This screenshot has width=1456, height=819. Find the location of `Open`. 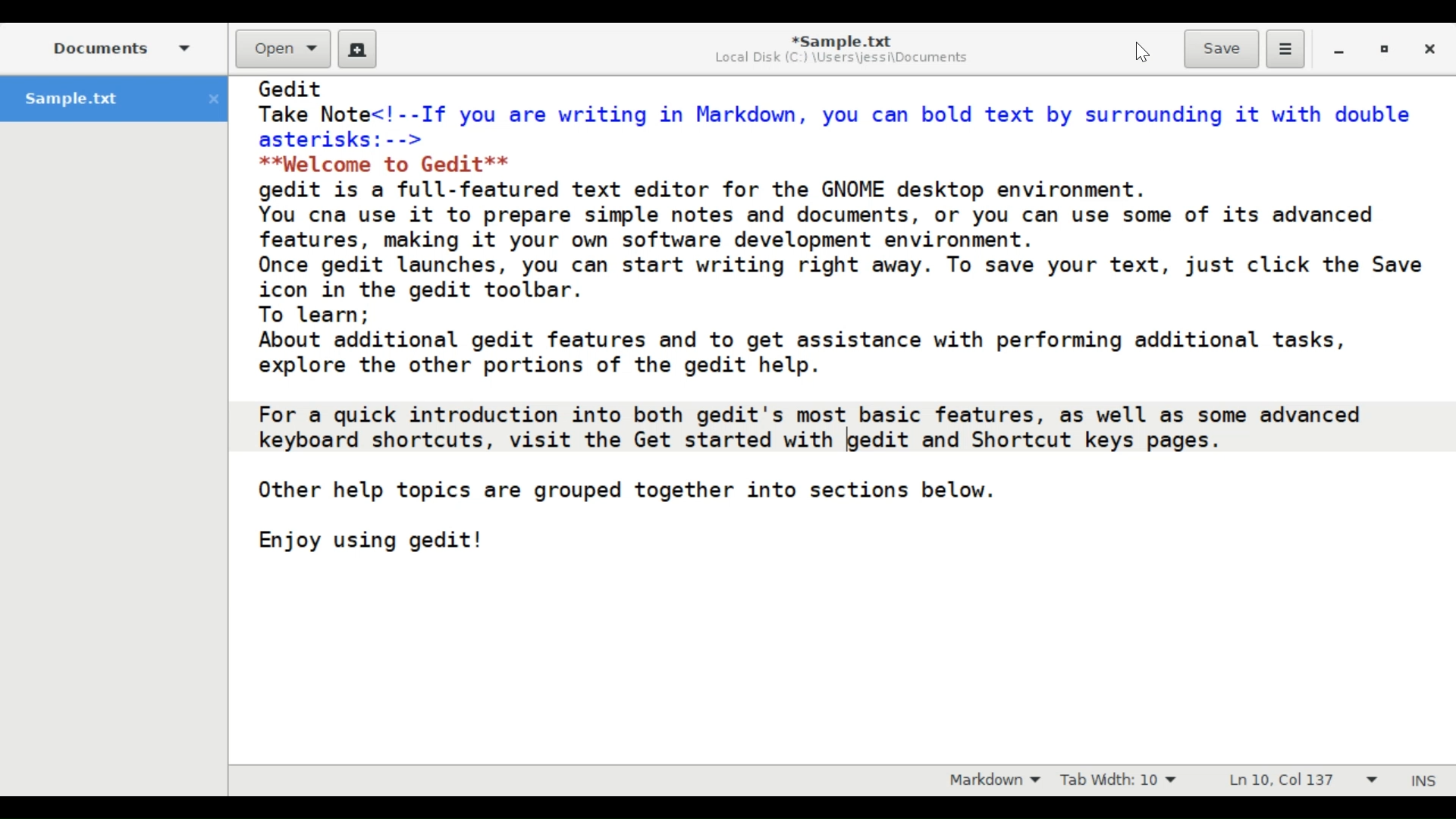

Open is located at coordinates (283, 49).